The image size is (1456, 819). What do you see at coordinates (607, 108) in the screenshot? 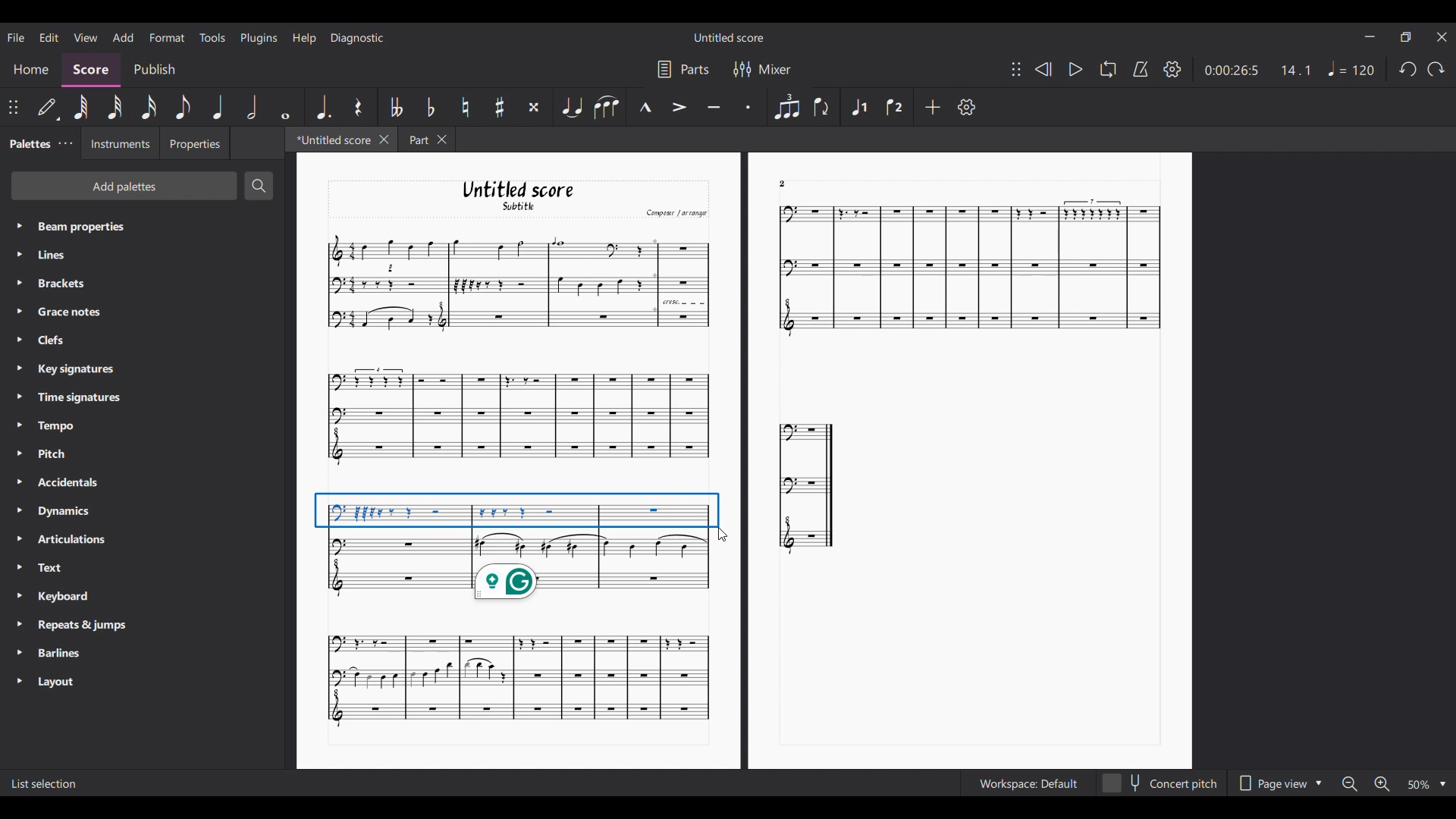
I see `Slur` at bounding box center [607, 108].